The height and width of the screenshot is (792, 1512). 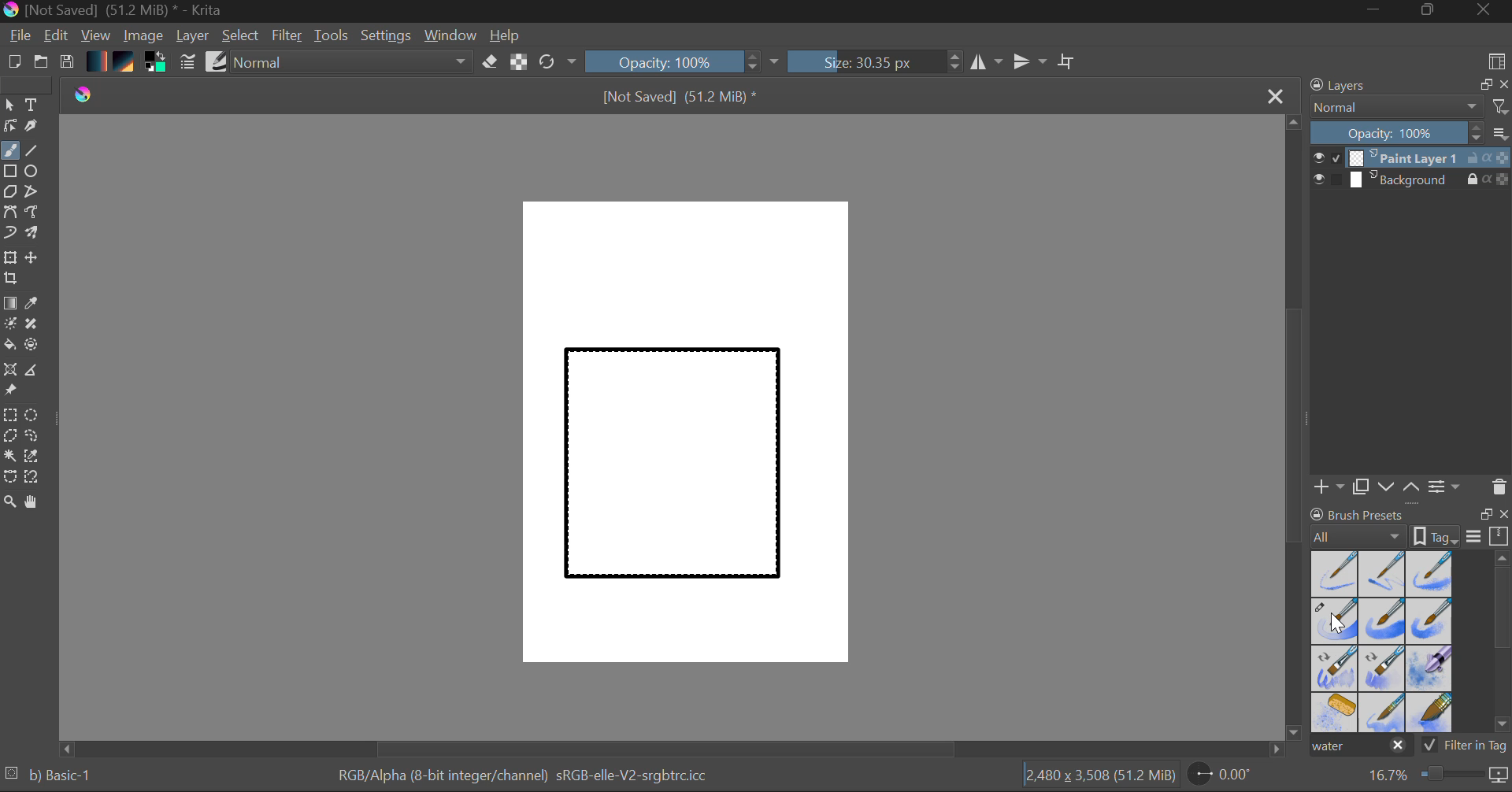 I want to click on Magnetic Selection Tool, so click(x=32, y=477).